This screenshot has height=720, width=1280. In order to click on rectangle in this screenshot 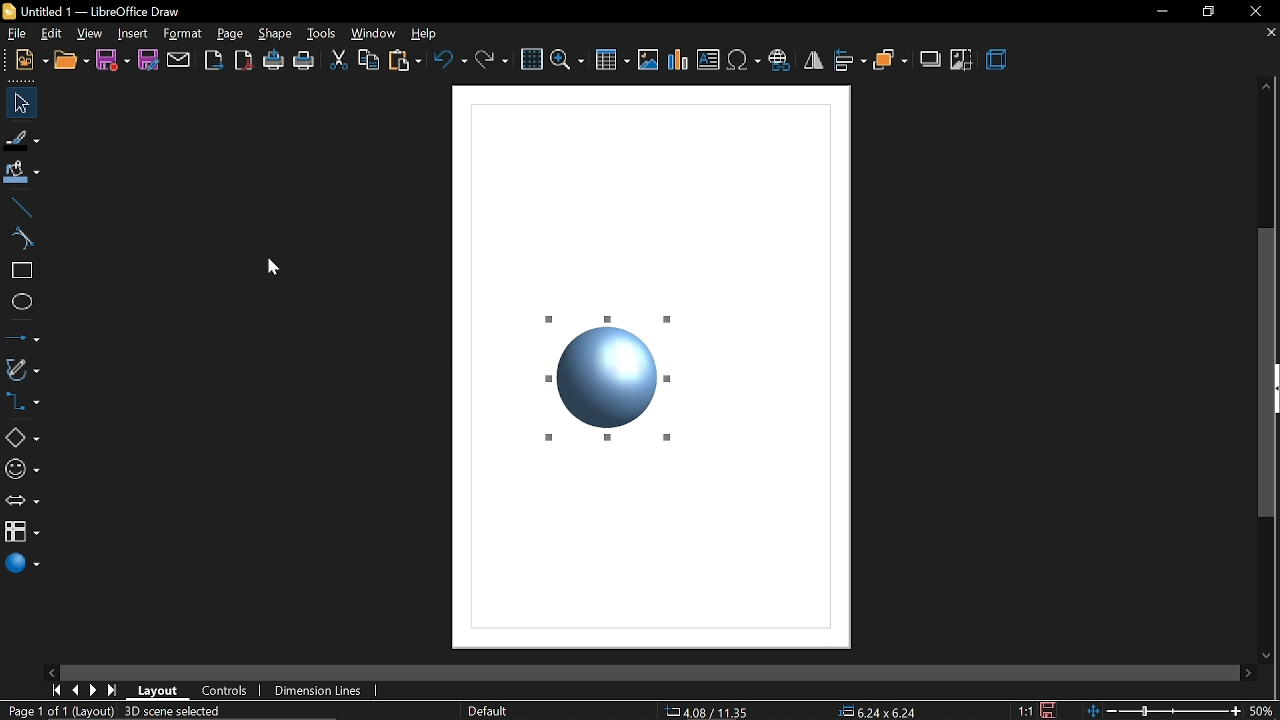, I will do `click(19, 270)`.